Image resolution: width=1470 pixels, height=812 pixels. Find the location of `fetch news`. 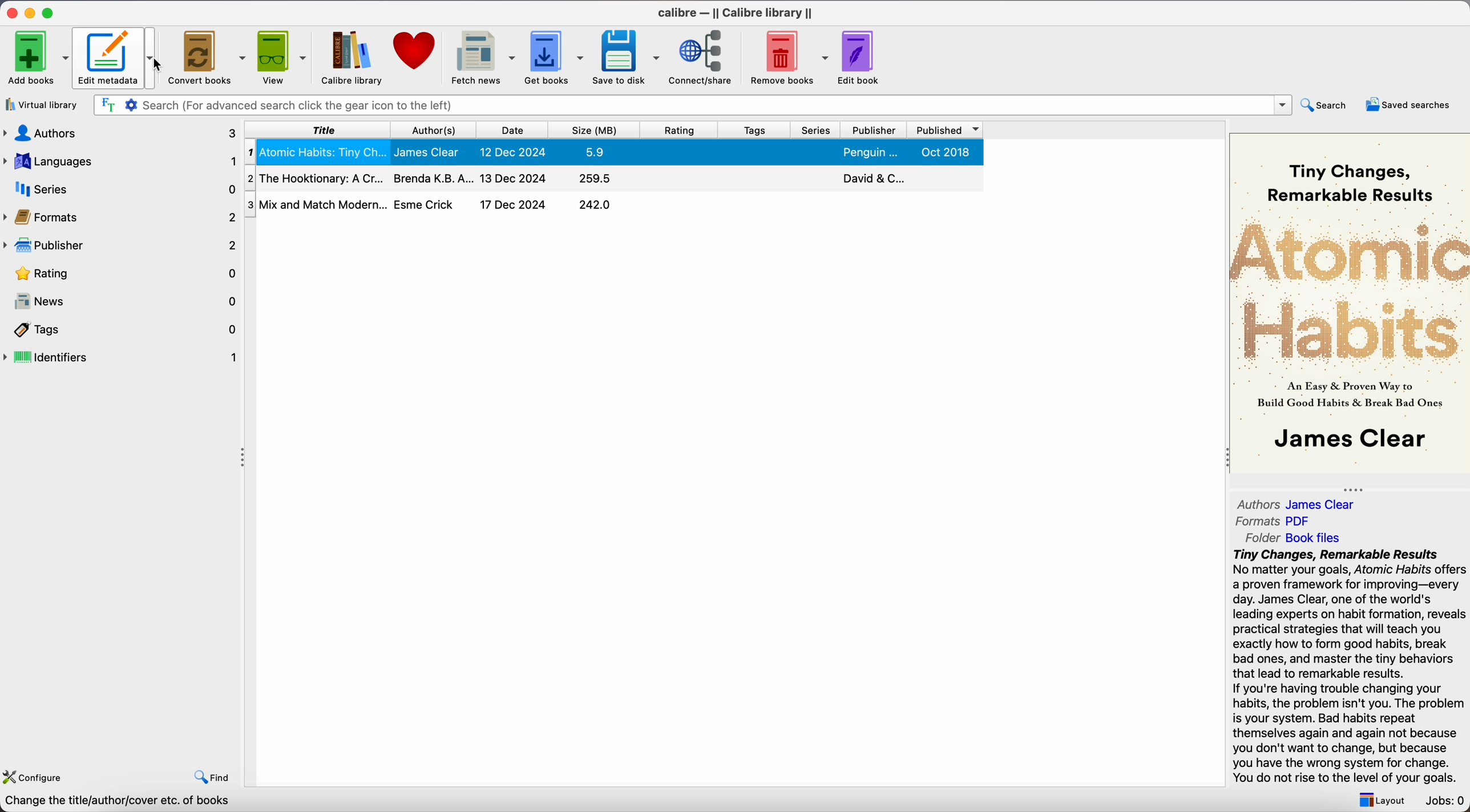

fetch news is located at coordinates (482, 58).